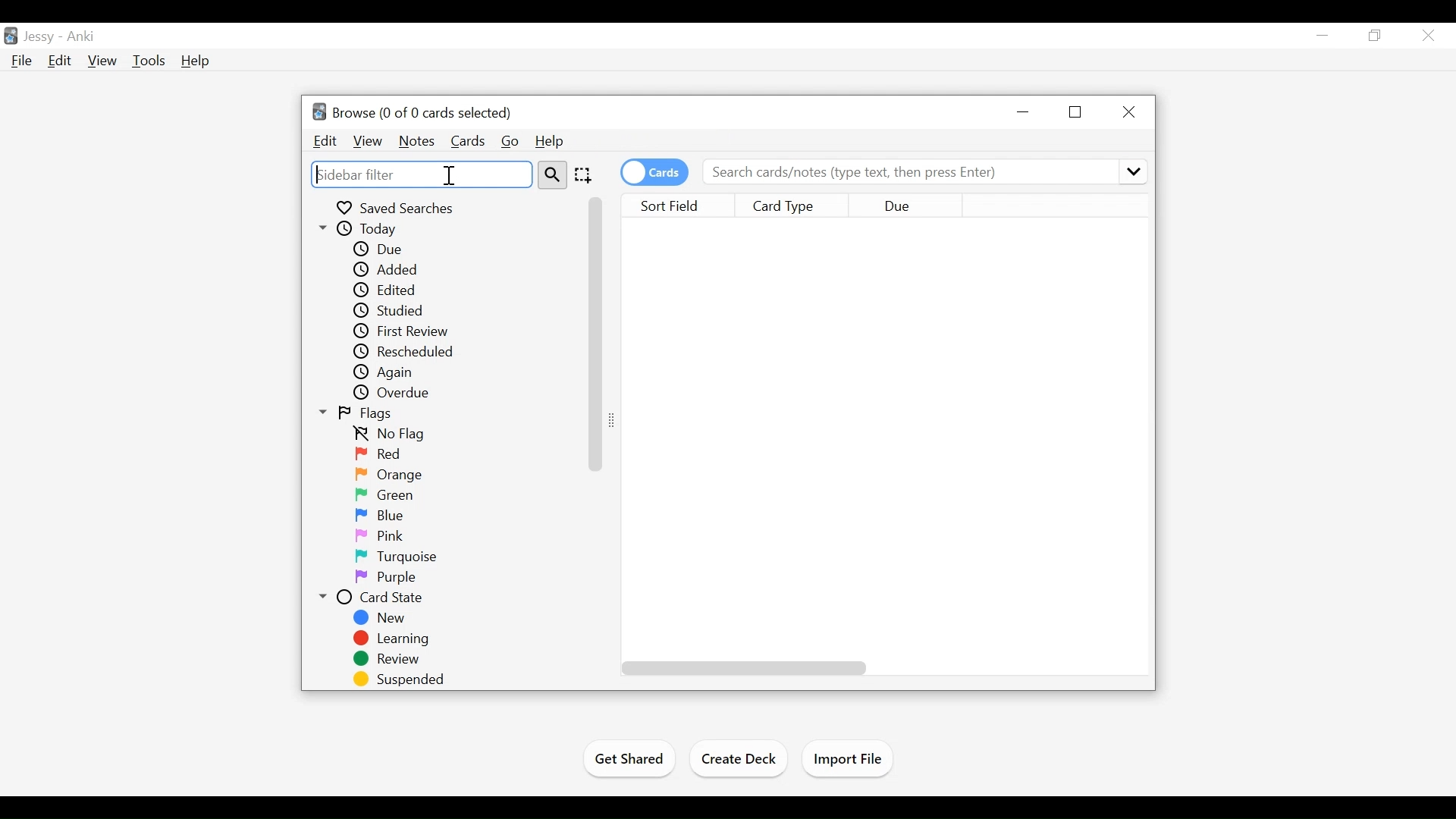 This screenshot has width=1456, height=819. What do you see at coordinates (585, 175) in the screenshot?
I see `Selection tool` at bounding box center [585, 175].